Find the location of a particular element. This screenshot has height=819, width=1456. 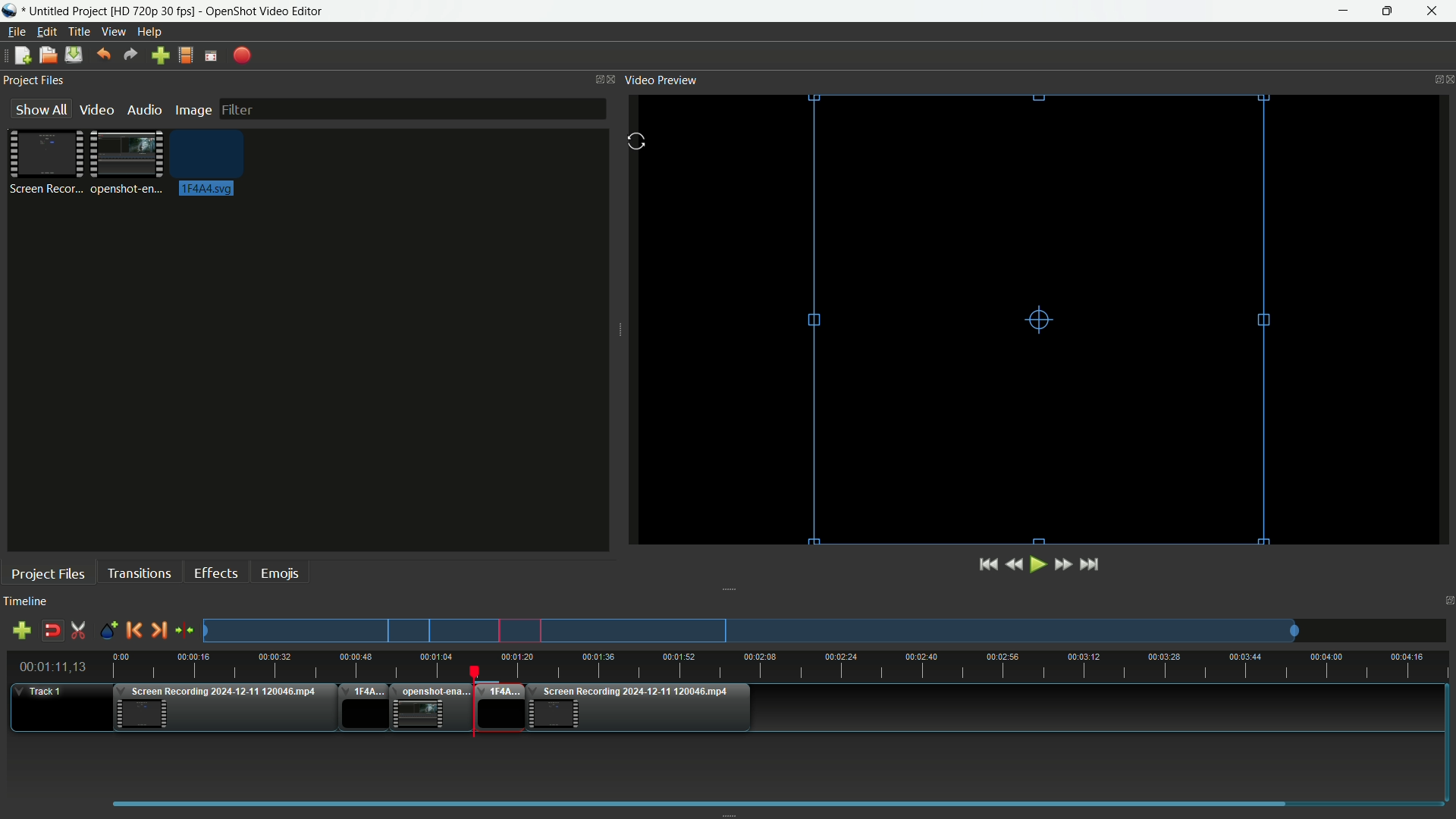

Create markers is located at coordinates (104, 631).